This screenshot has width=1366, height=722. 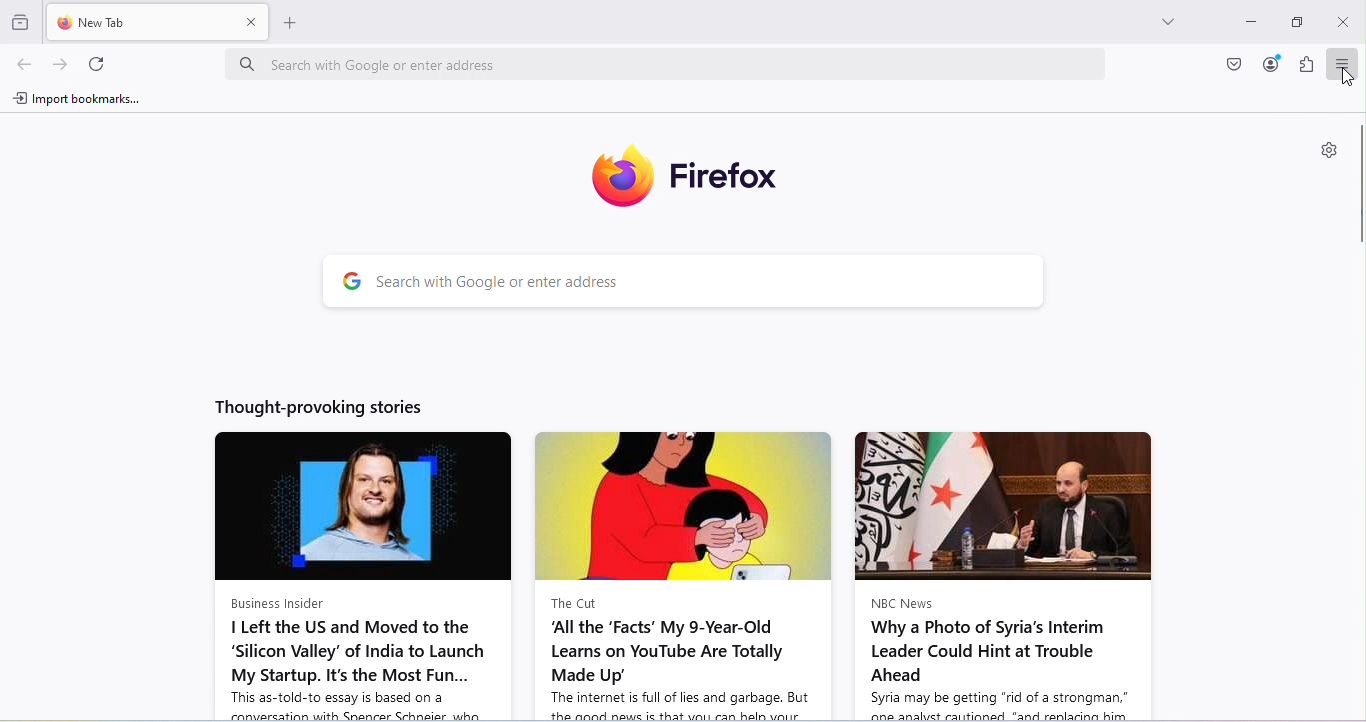 I want to click on Thought-provoking stories, so click(x=311, y=409).